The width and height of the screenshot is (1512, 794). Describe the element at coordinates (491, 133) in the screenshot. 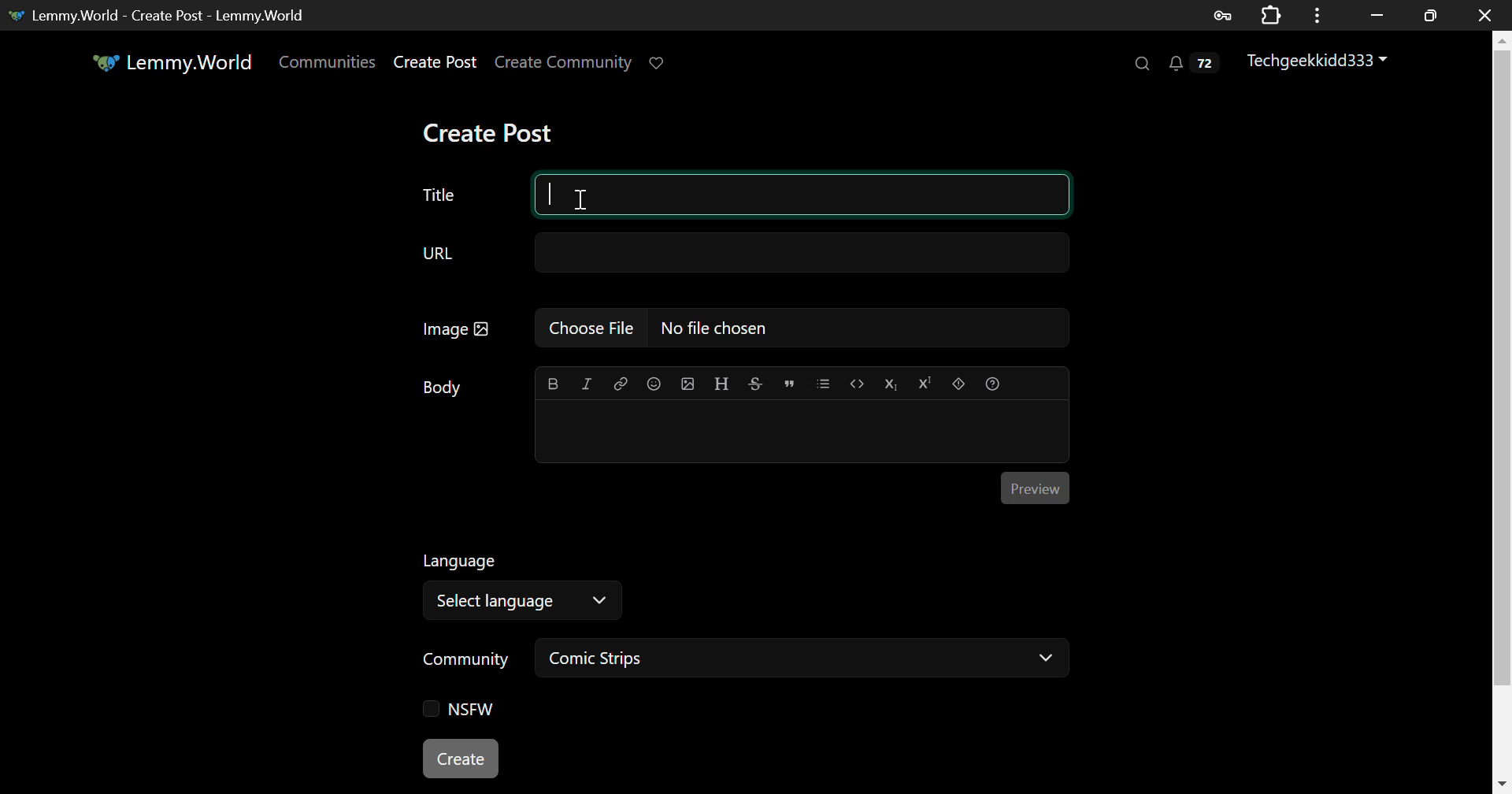

I see `Create Post` at that location.